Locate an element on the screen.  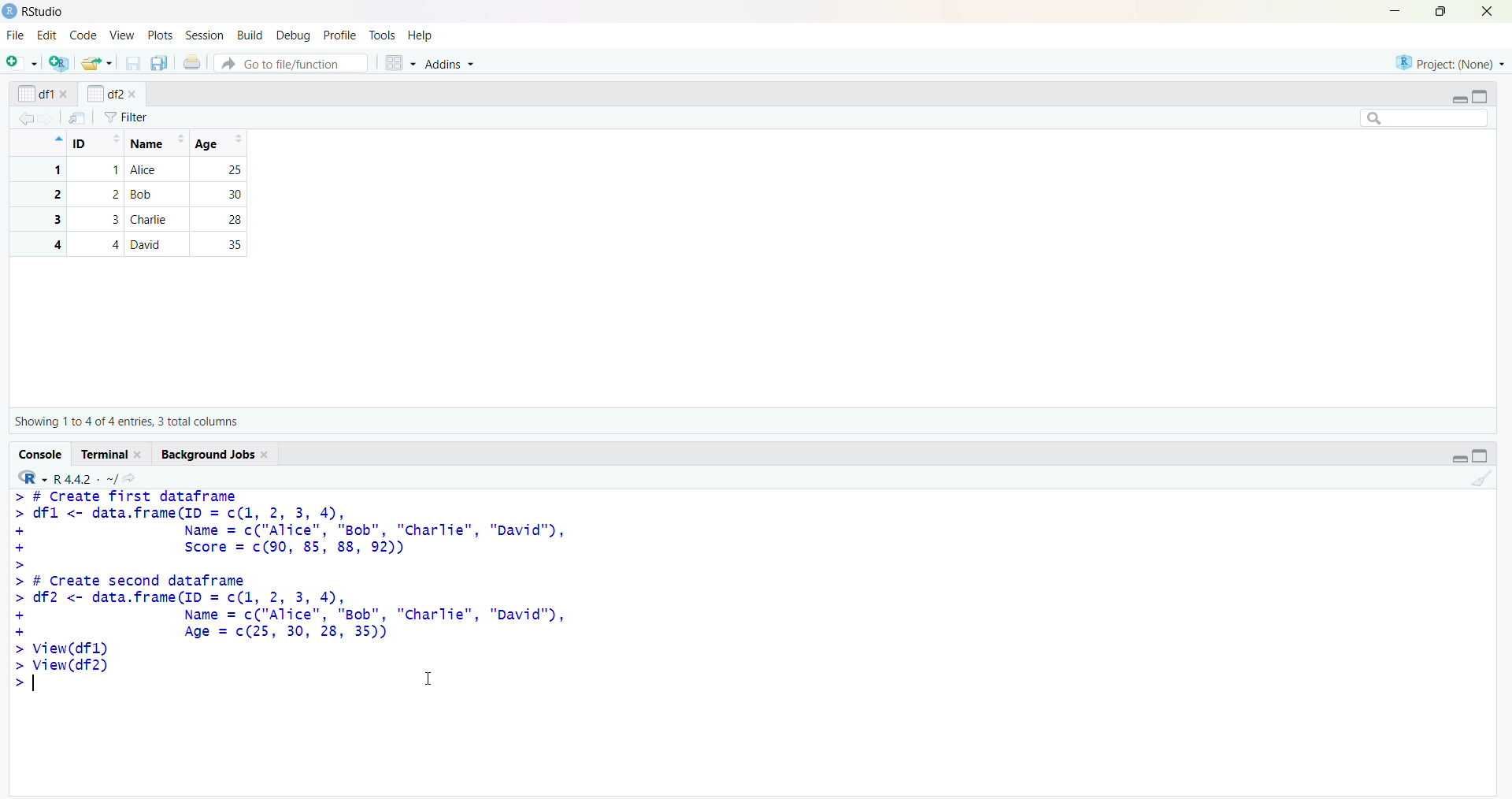
close is located at coordinates (267, 455).